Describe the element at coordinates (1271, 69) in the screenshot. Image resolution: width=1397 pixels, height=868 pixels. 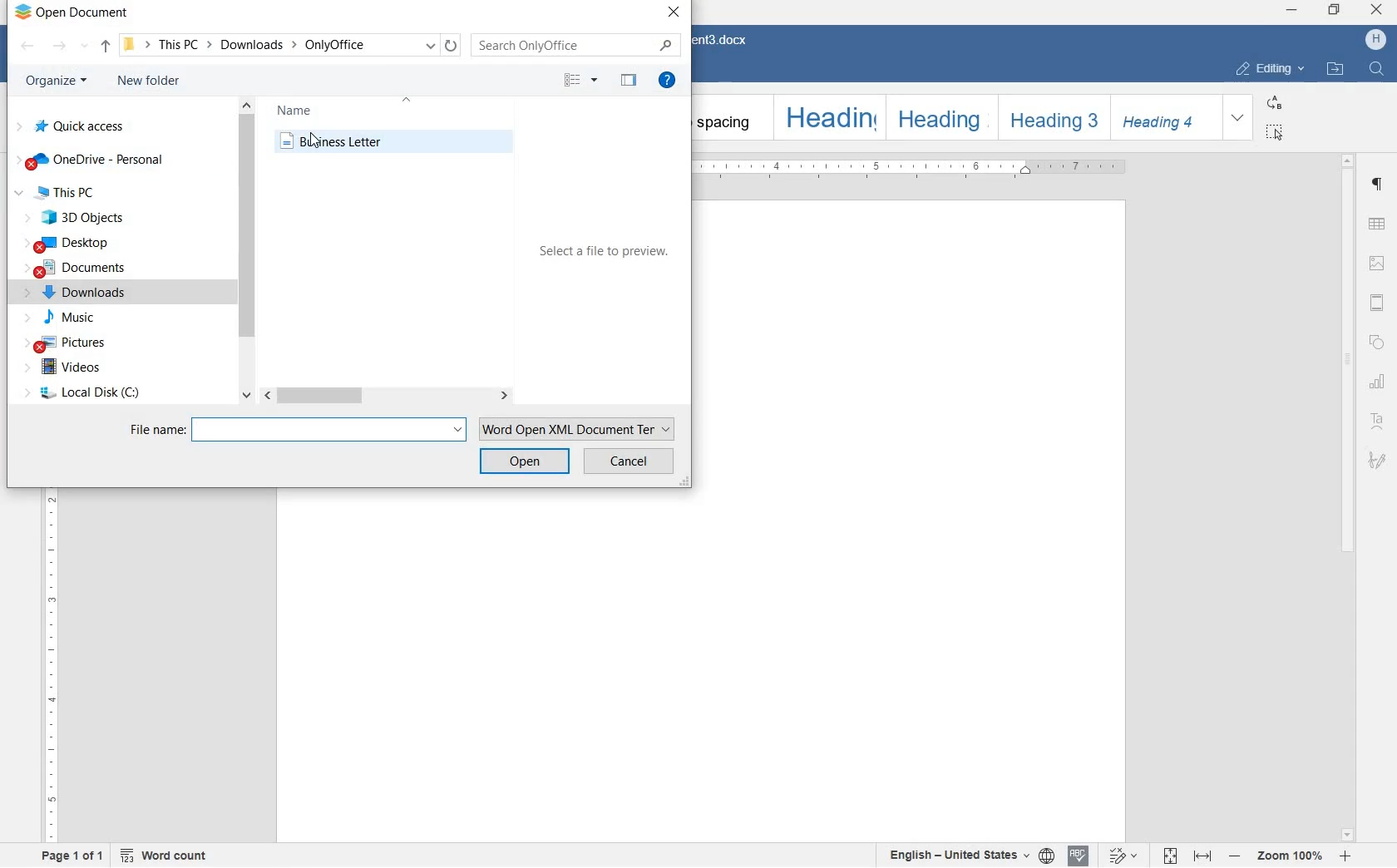
I see `editing` at that location.